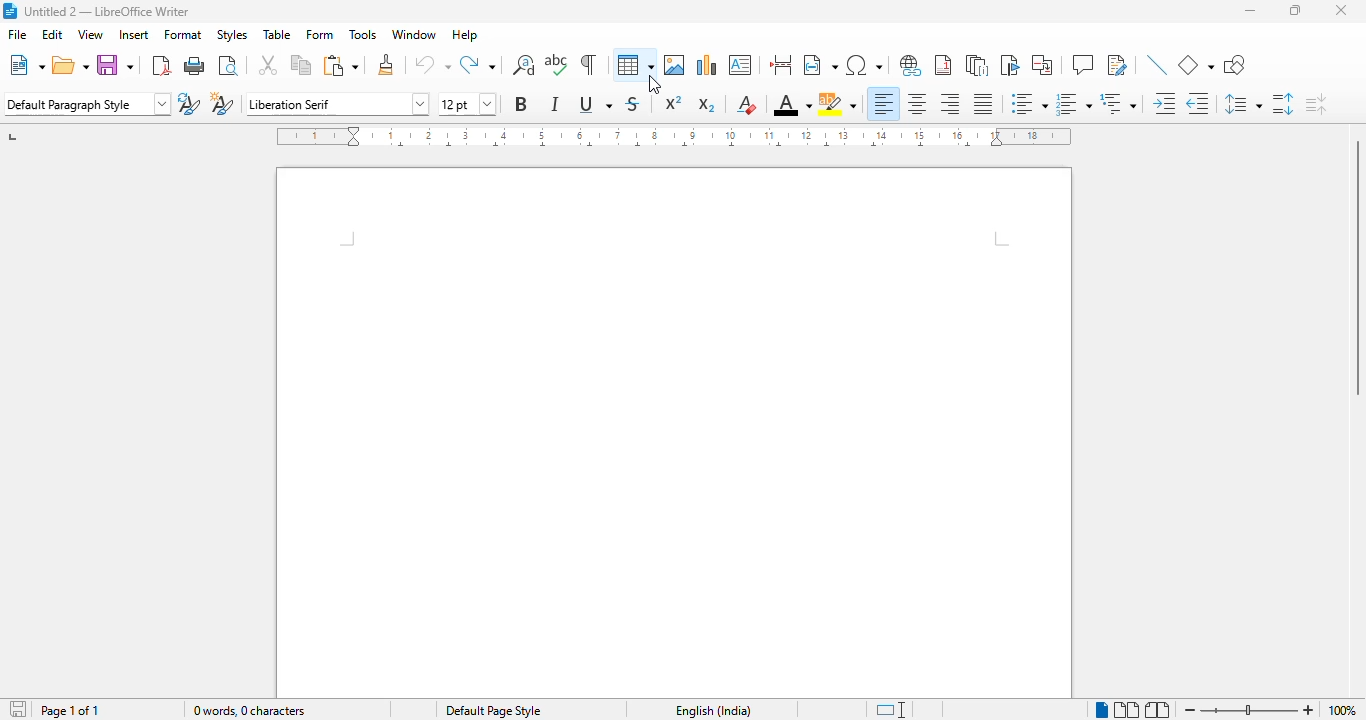  Describe the element at coordinates (553, 104) in the screenshot. I see `italic` at that location.